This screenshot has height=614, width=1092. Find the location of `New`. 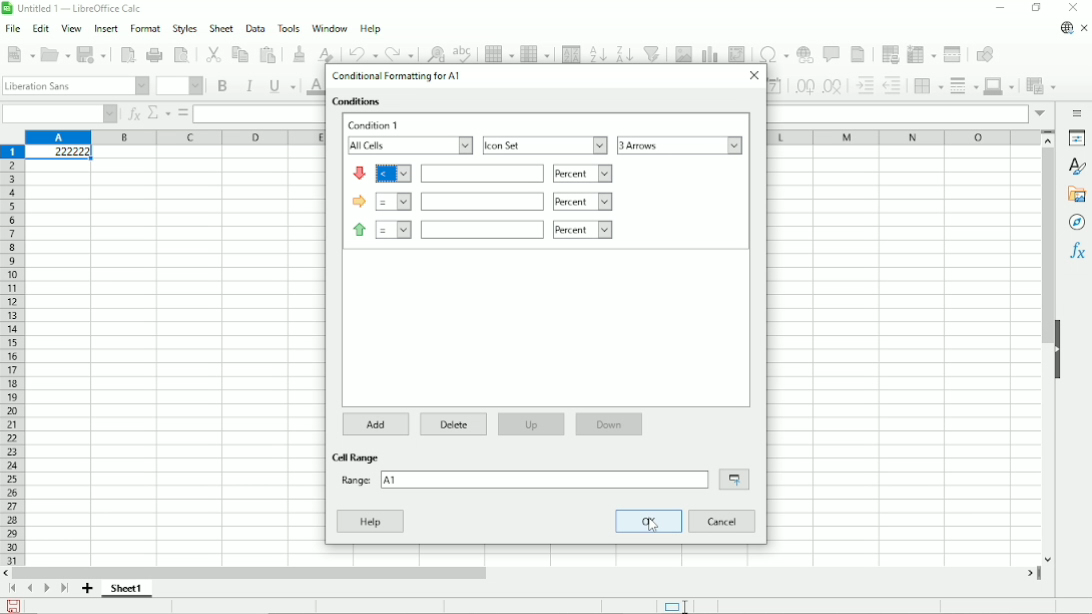

New is located at coordinates (21, 53).